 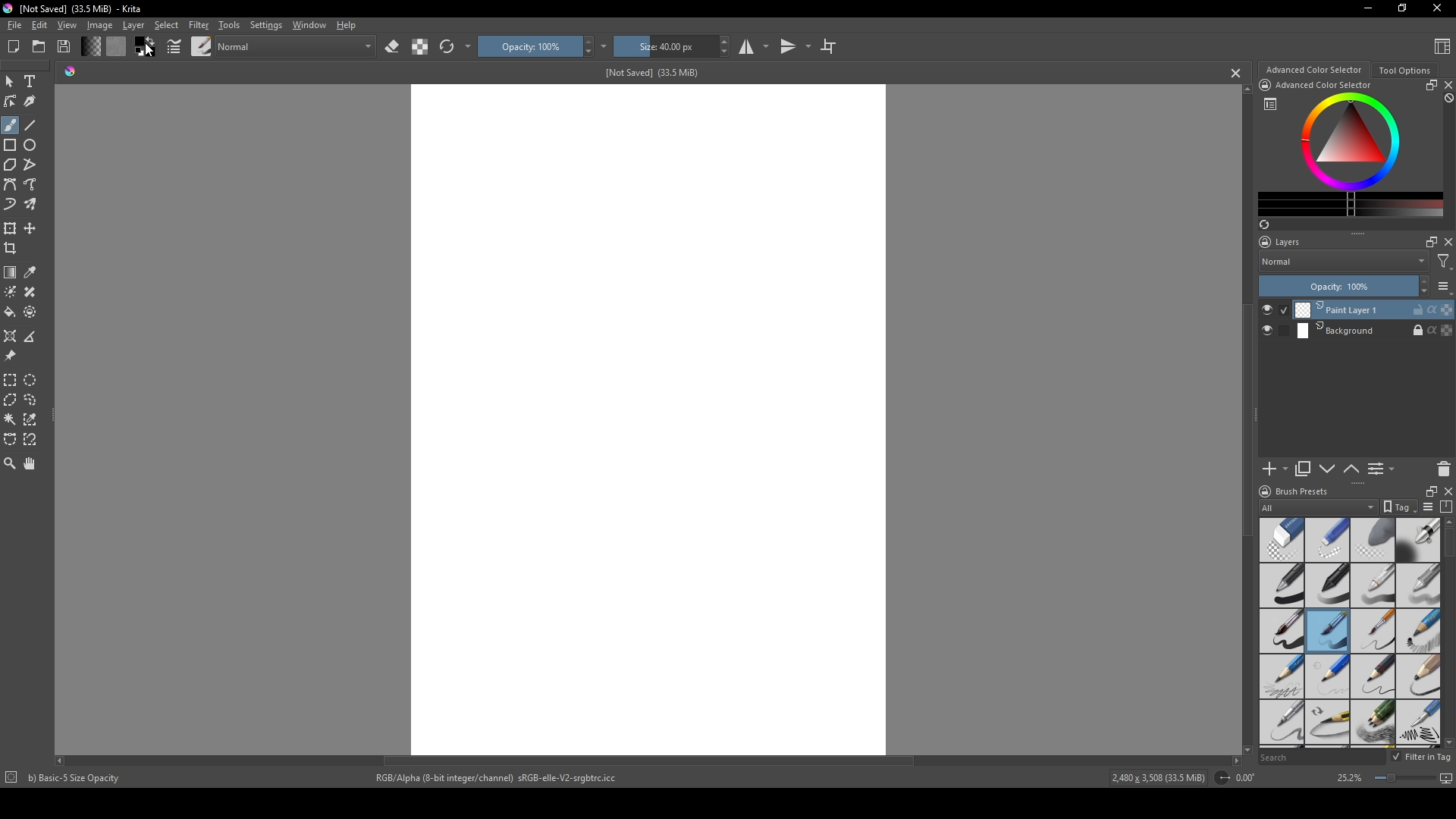 What do you see at coordinates (32, 185) in the screenshot?
I see `free hand` at bounding box center [32, 185].